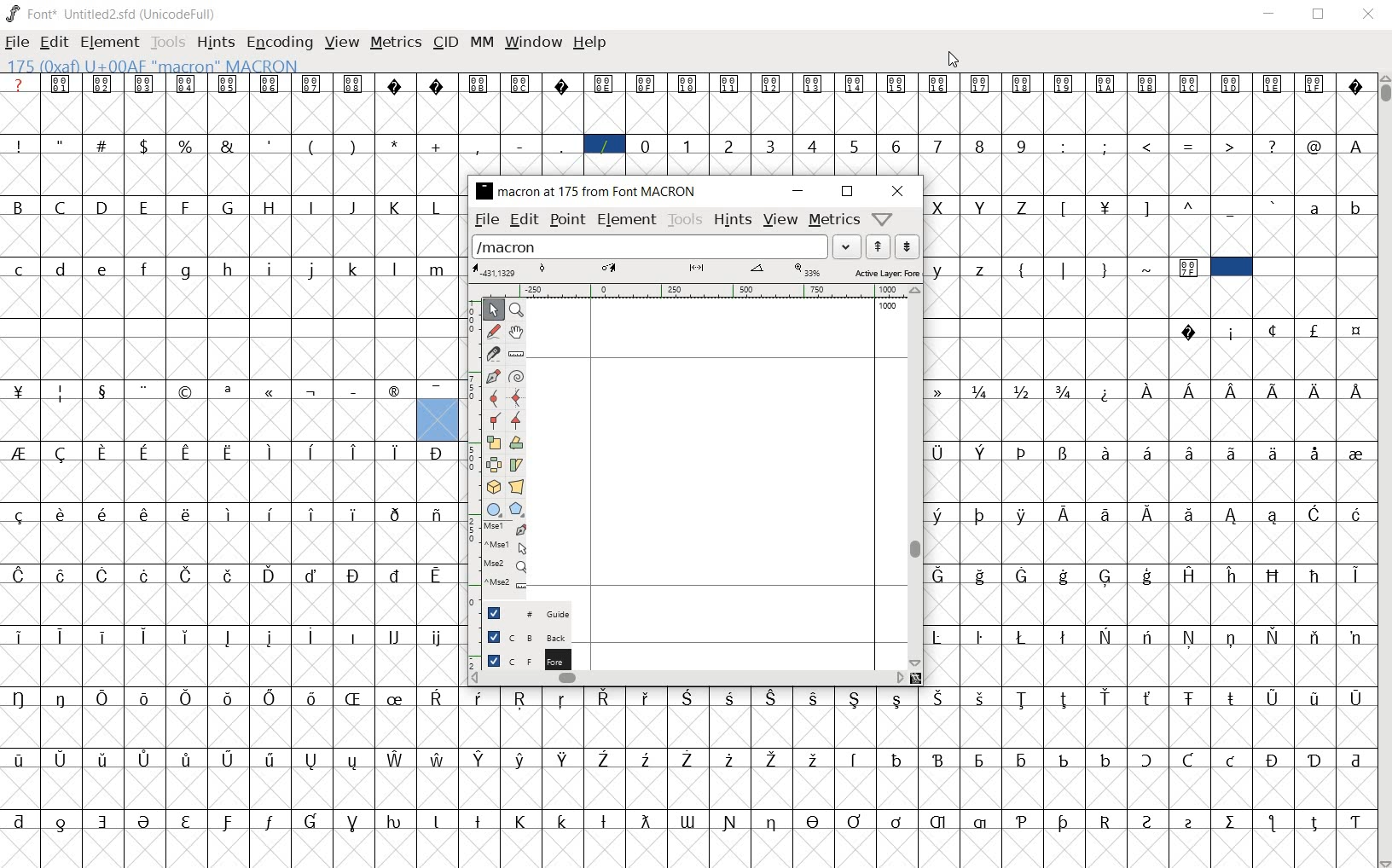  Describe the element at coordinates (229, 697) in the screenshot. I see `Symbol` at that location.